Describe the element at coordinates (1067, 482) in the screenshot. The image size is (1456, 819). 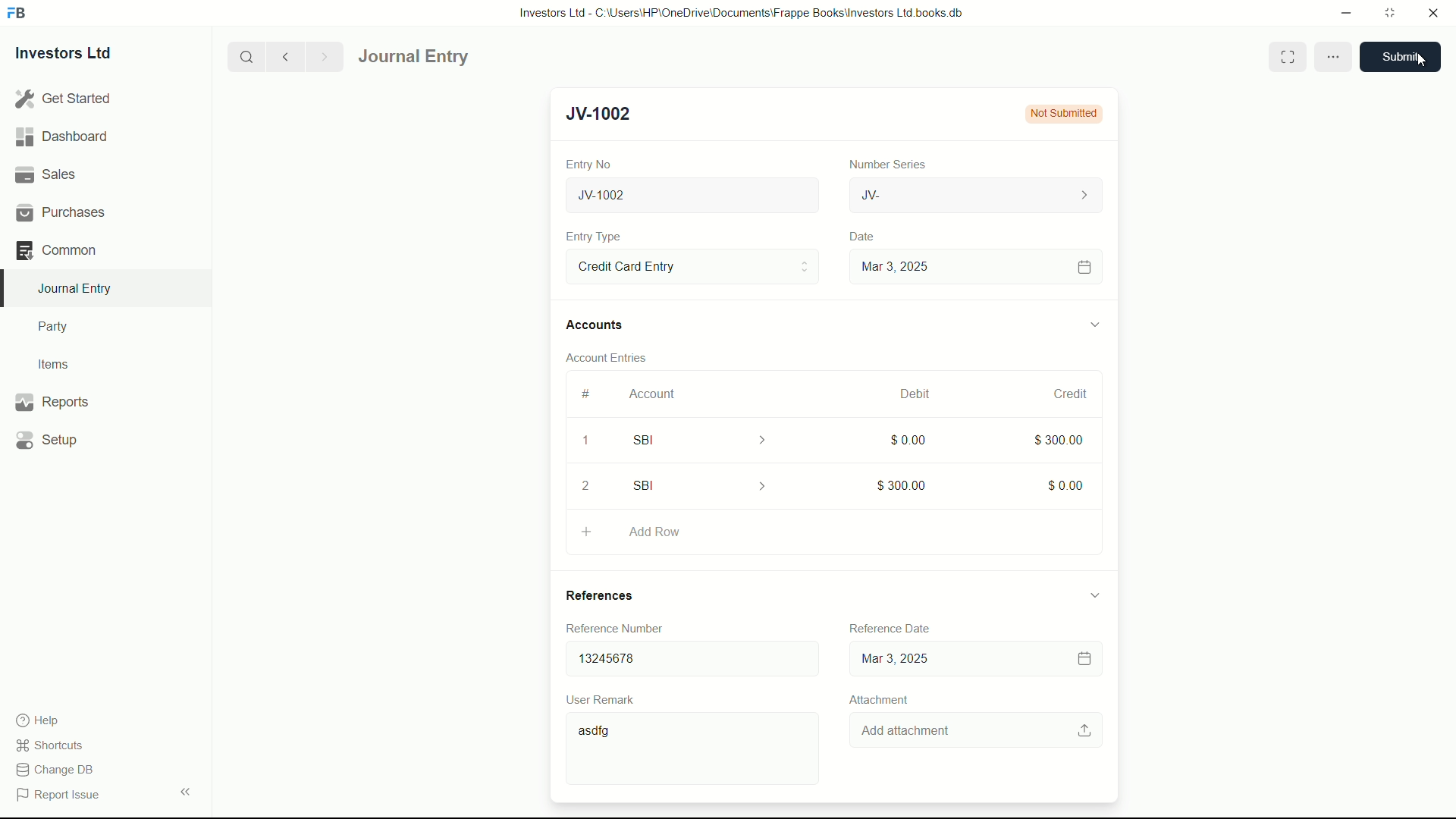
I see `$0.00` at that location.